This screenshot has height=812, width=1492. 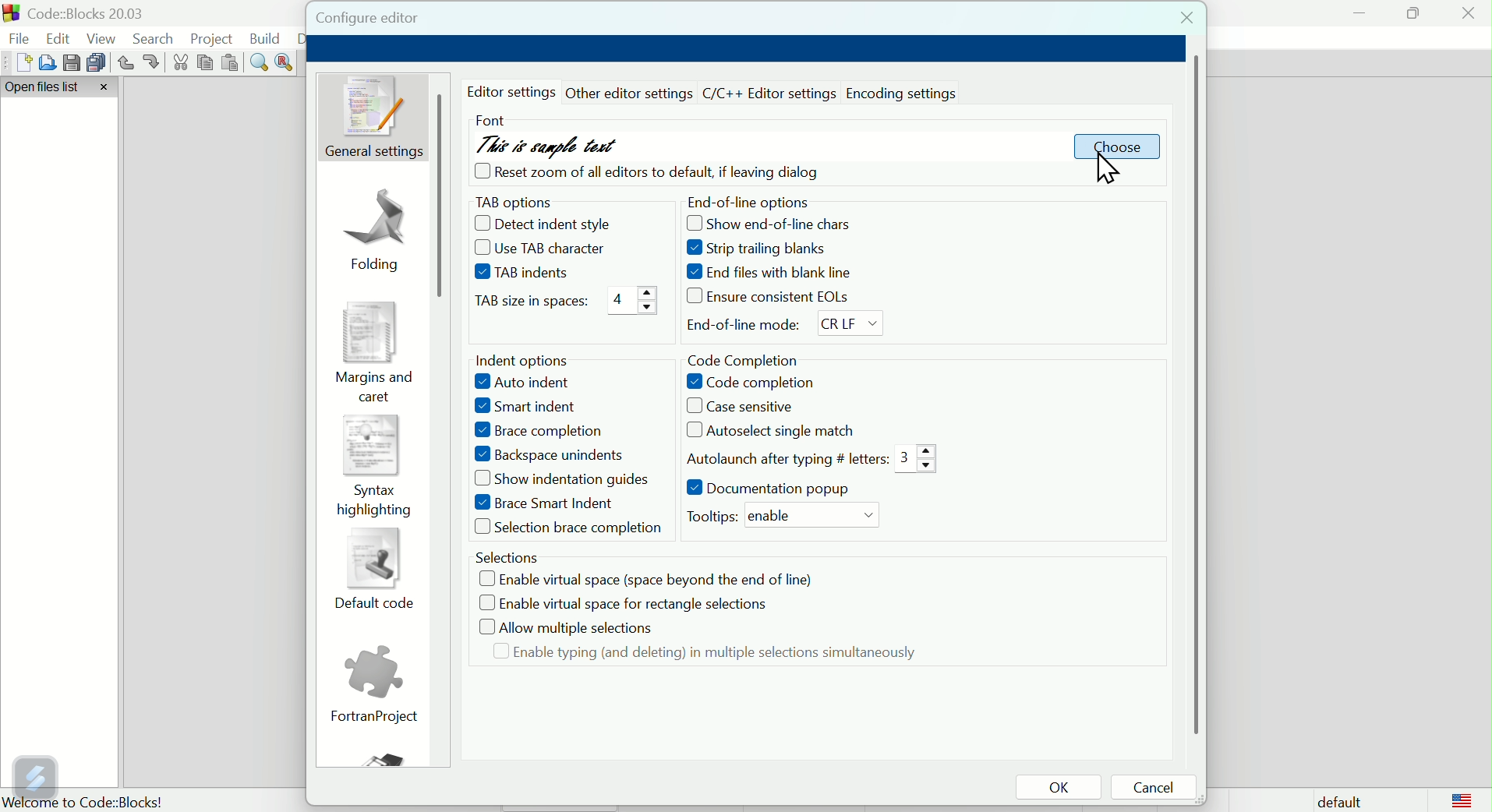 I want to click on , so click(x=556, y=479).